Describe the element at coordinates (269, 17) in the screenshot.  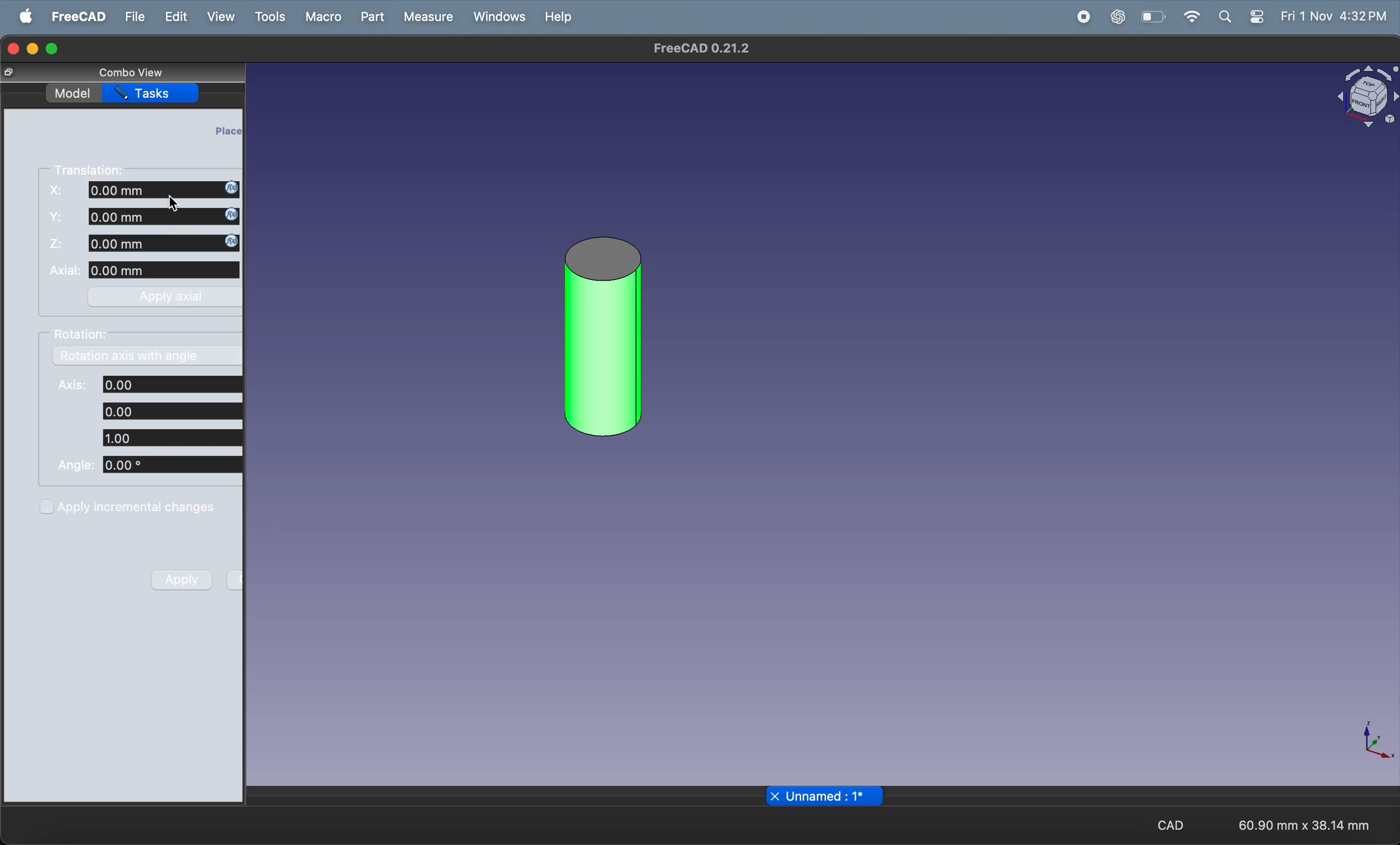
I see `tools` at that location.